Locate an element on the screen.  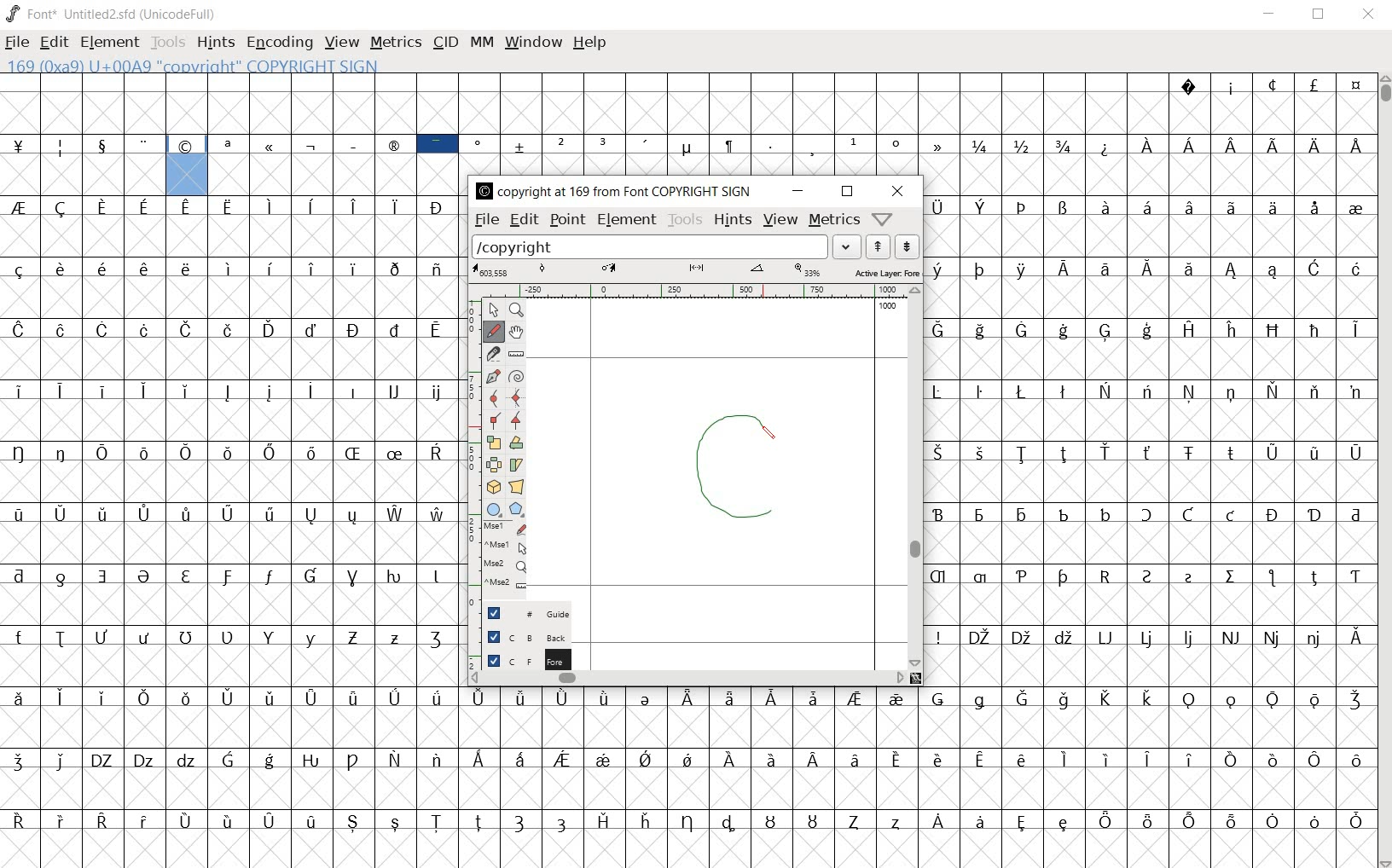
169 (0x9a) U+00A9 "copyright" COPYRIGHT SIGN is located at coordinates (188, 163).